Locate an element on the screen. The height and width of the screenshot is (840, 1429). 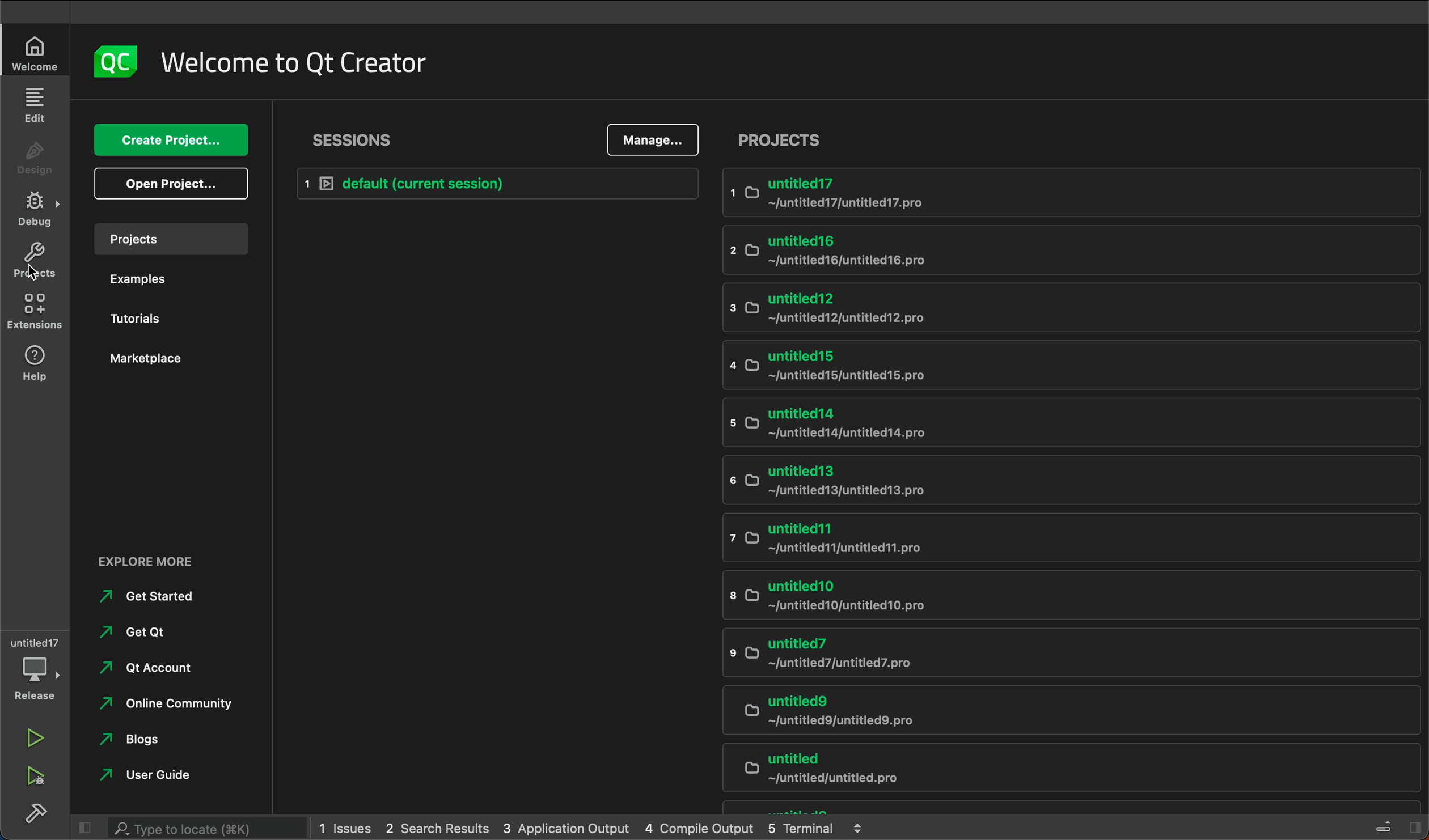
online community is located at coordinates (175, 703).